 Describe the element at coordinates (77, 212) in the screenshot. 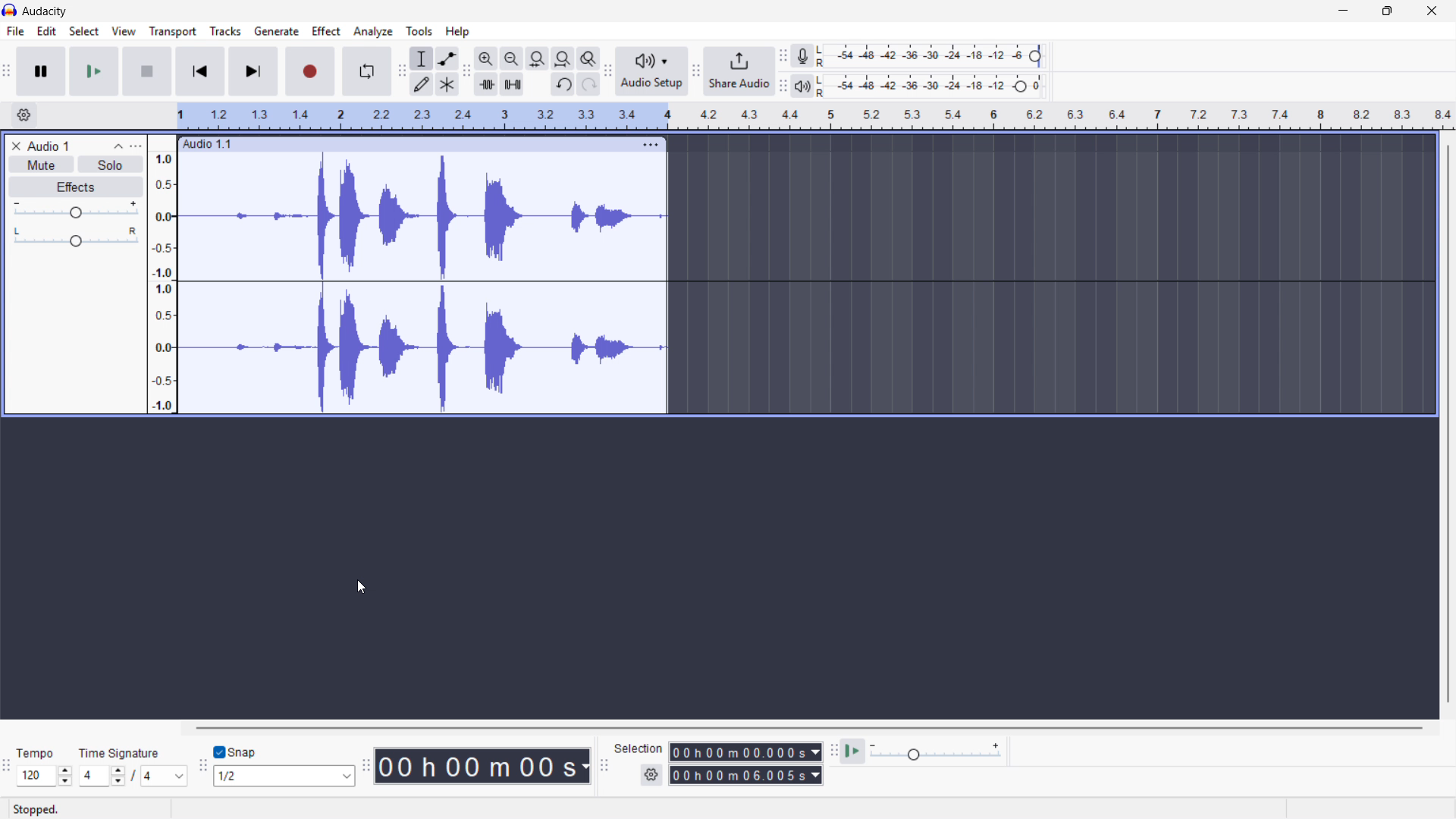

I see `gain` at that location.